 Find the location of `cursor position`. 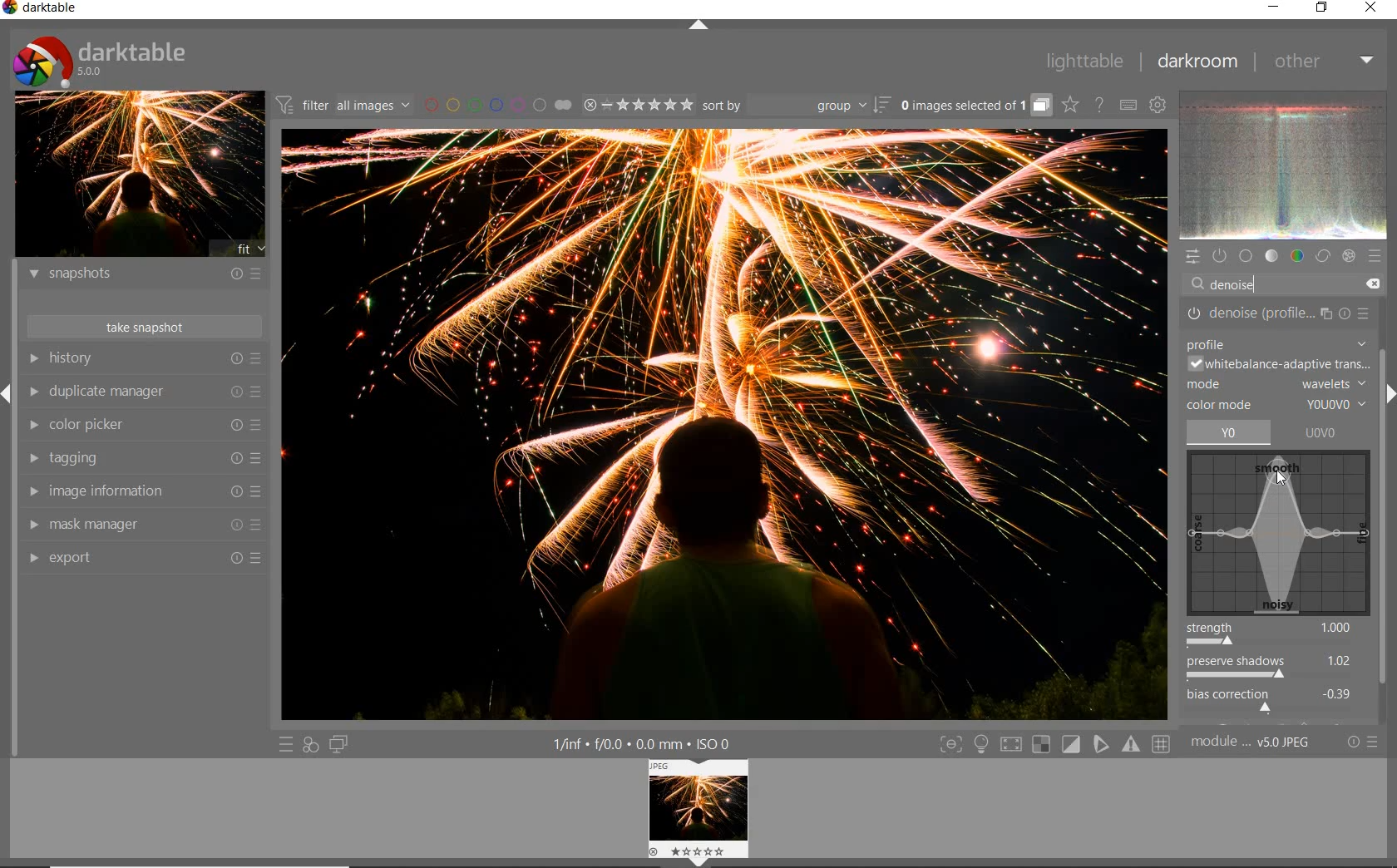

cursor position is located at coordinates (1276, 475).